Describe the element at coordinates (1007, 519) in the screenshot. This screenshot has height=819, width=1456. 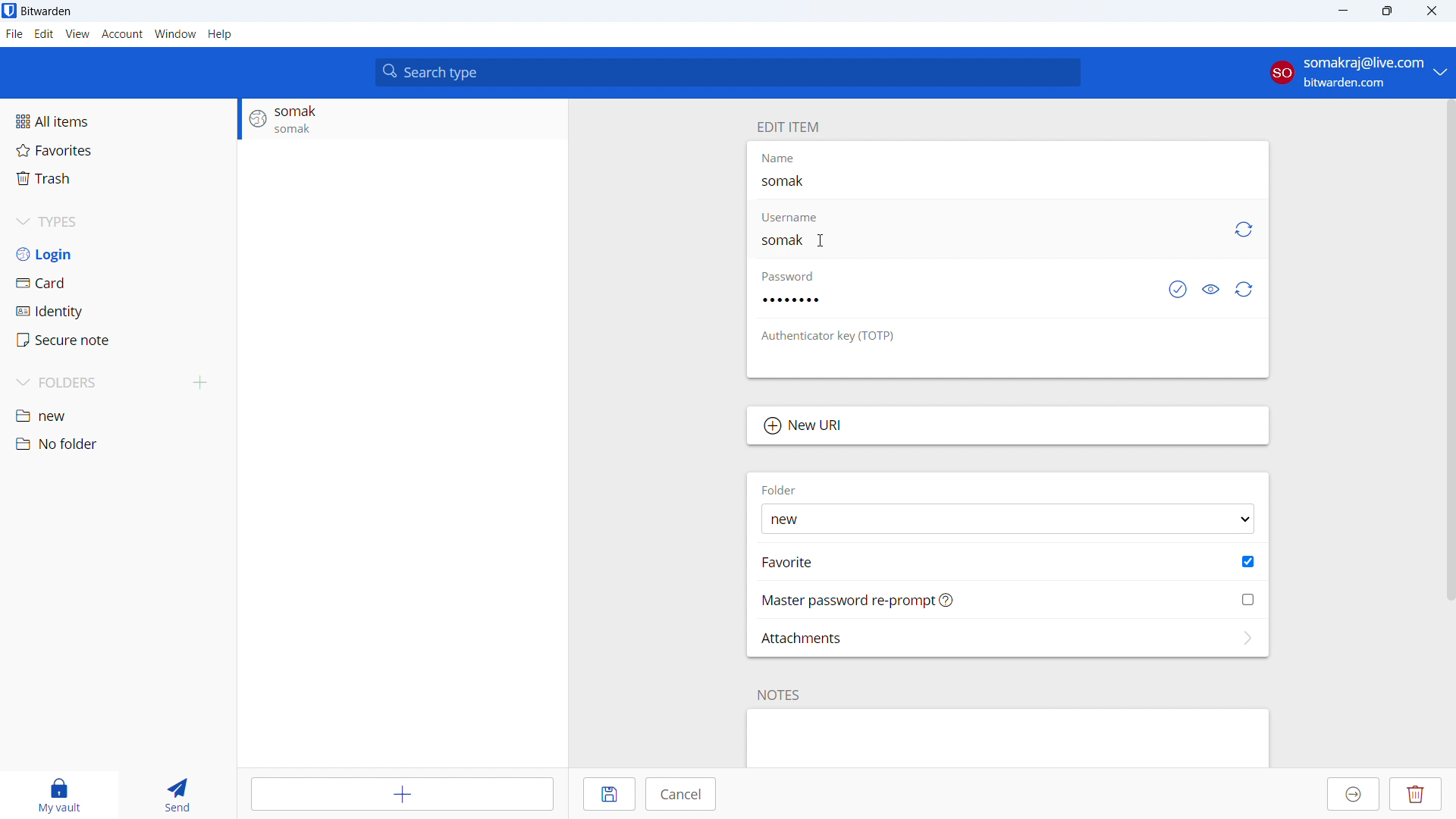
I see `select folder` at that location.